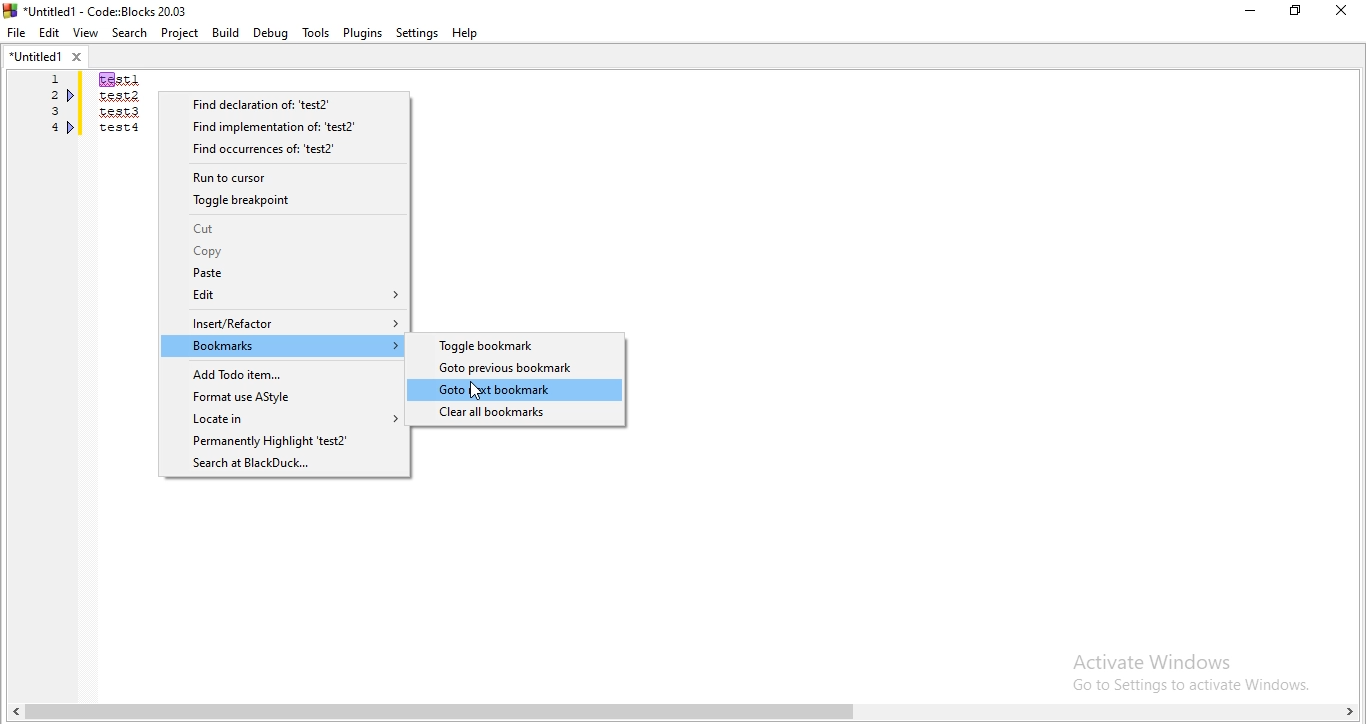  Describe the element at coordinates (683, 713) in the screenshot. I see `scroll bar` at that location.